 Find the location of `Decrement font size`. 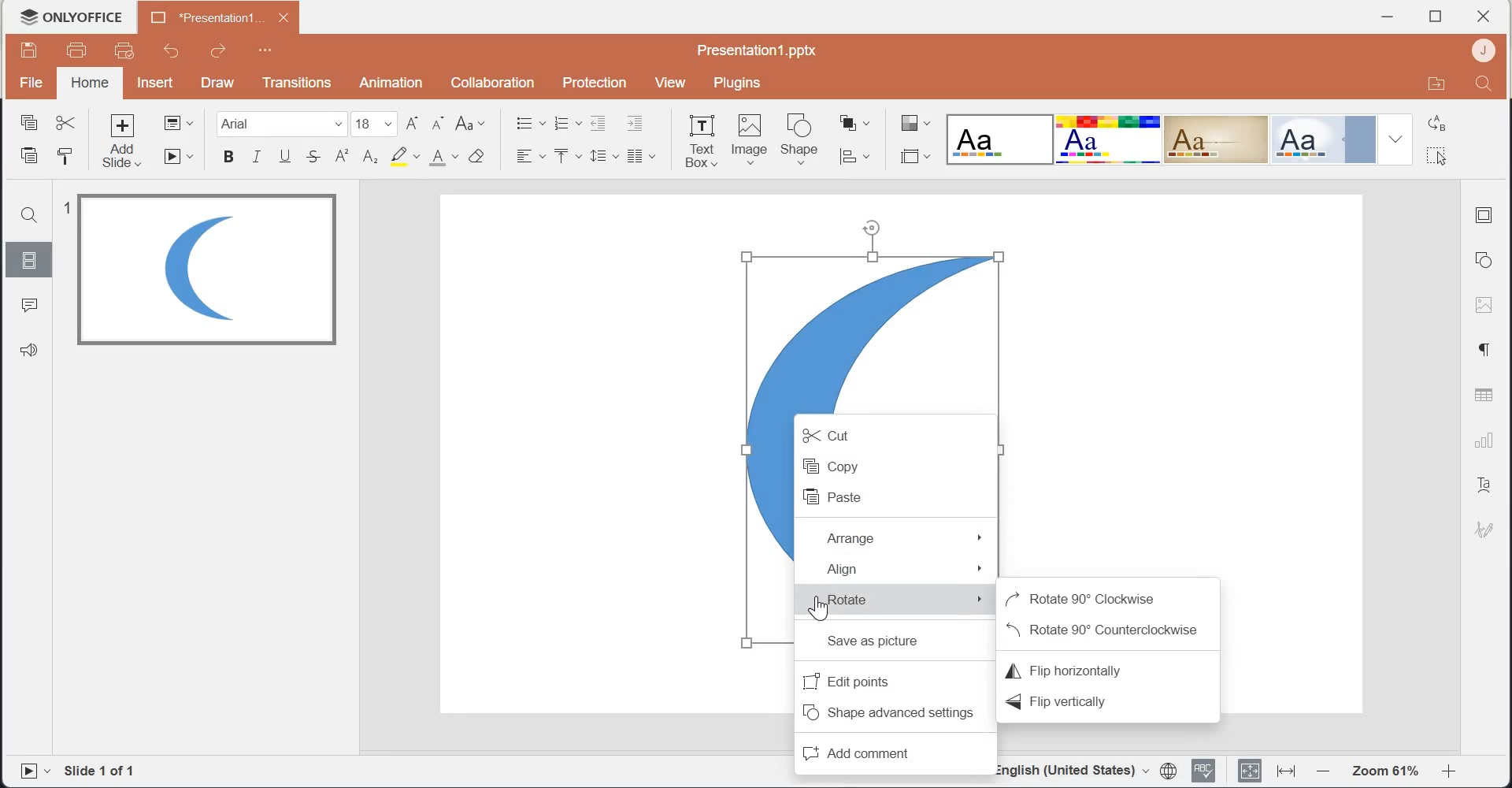

Decrement font size is located at coordinates (439, 124).